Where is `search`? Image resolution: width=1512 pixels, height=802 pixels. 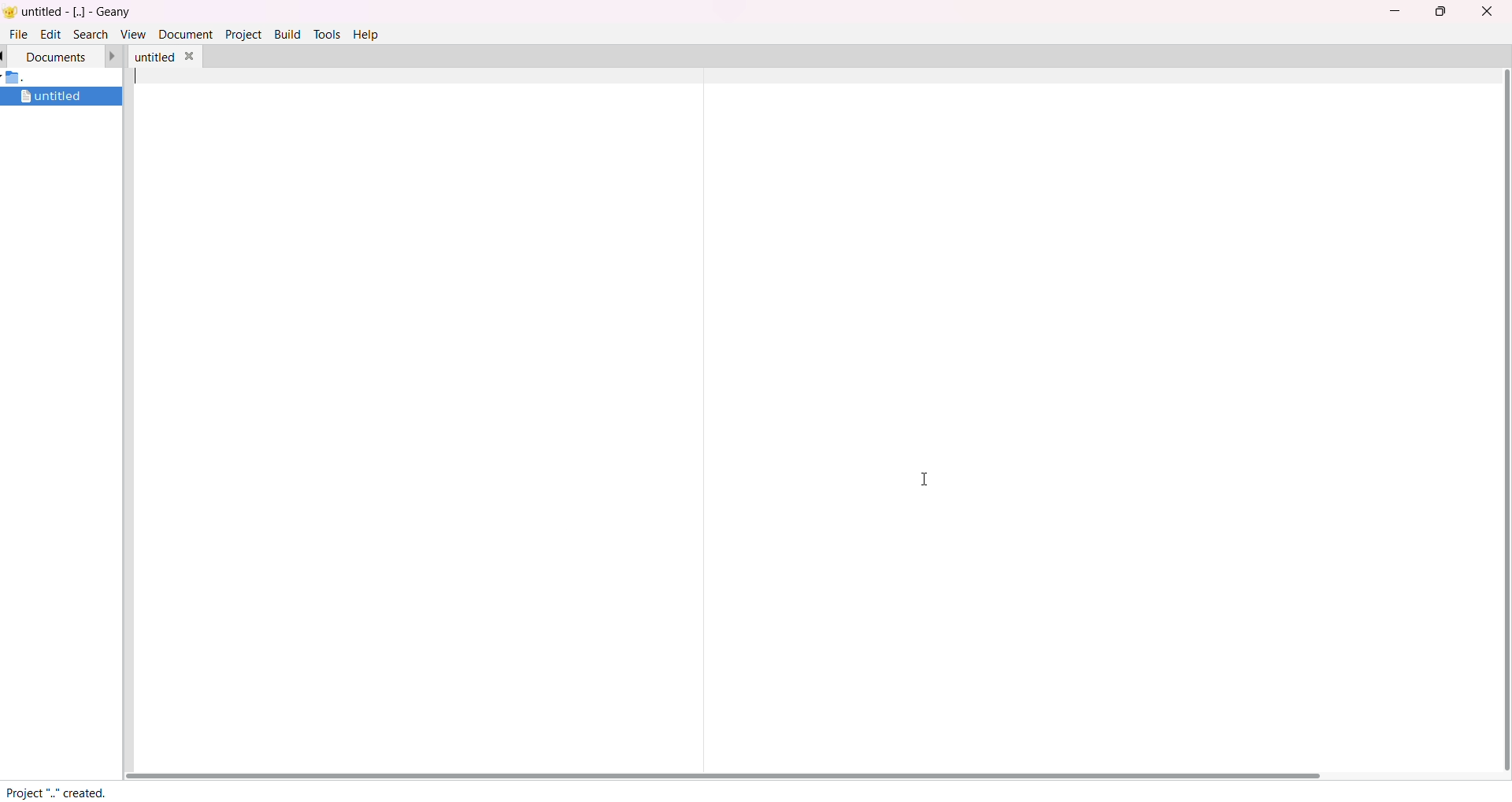
search is located at coordinates (89, 33).